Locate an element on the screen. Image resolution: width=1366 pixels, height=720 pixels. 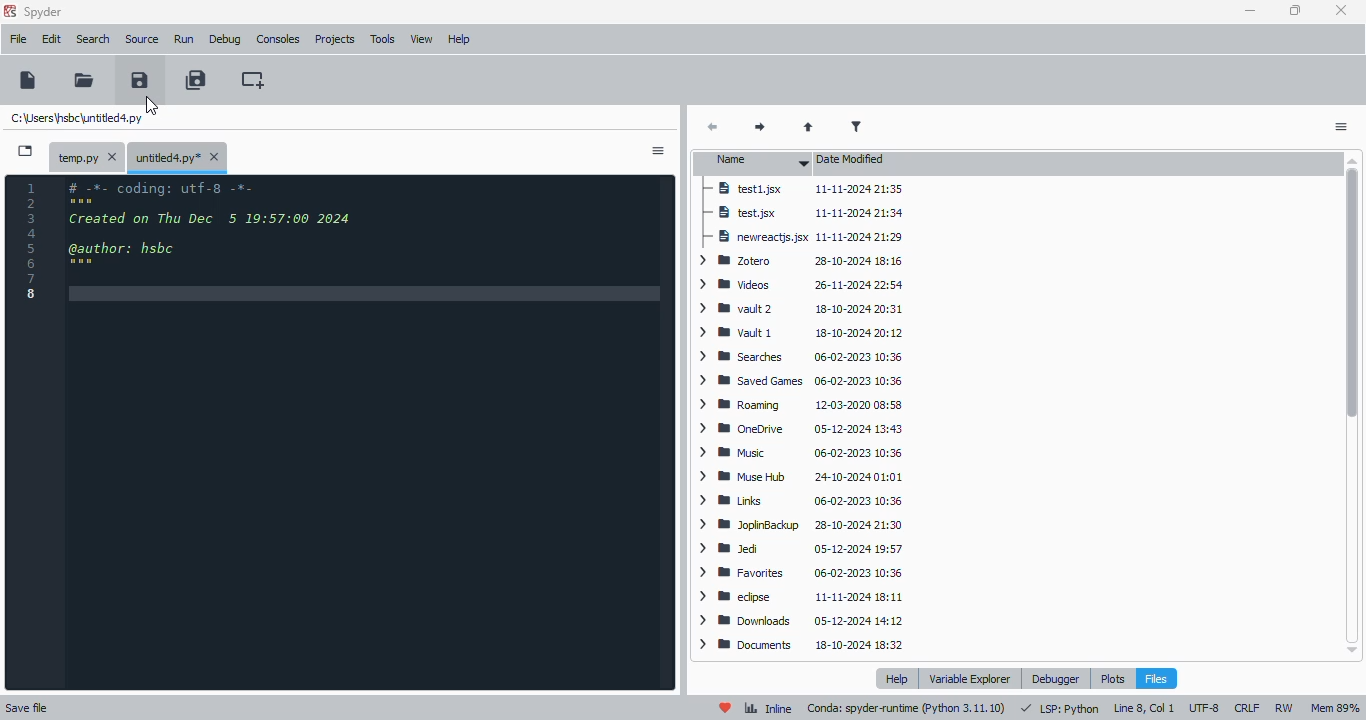
save all files is located at coordinates (196, 79).